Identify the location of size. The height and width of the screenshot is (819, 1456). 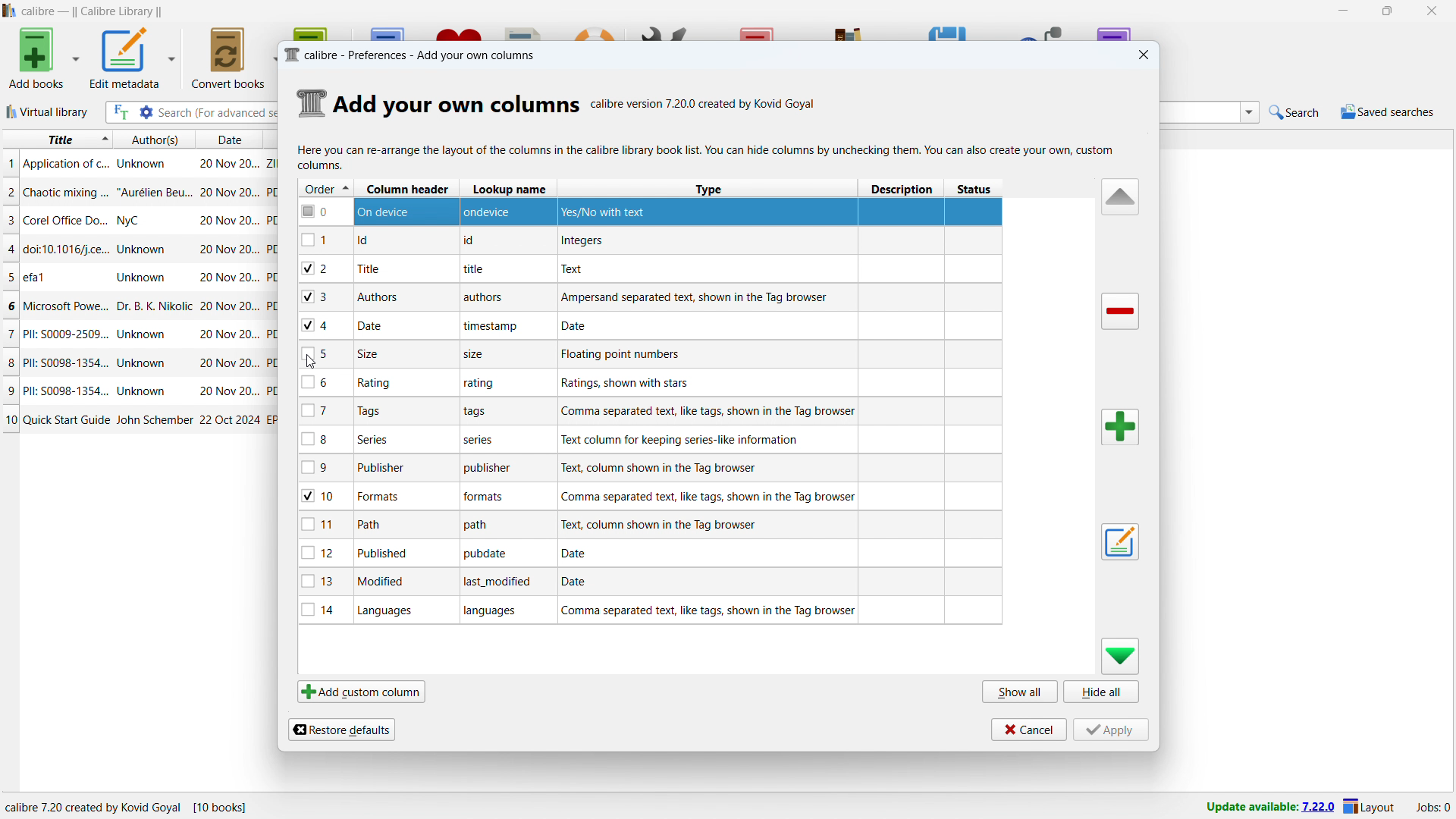
(370, 353).